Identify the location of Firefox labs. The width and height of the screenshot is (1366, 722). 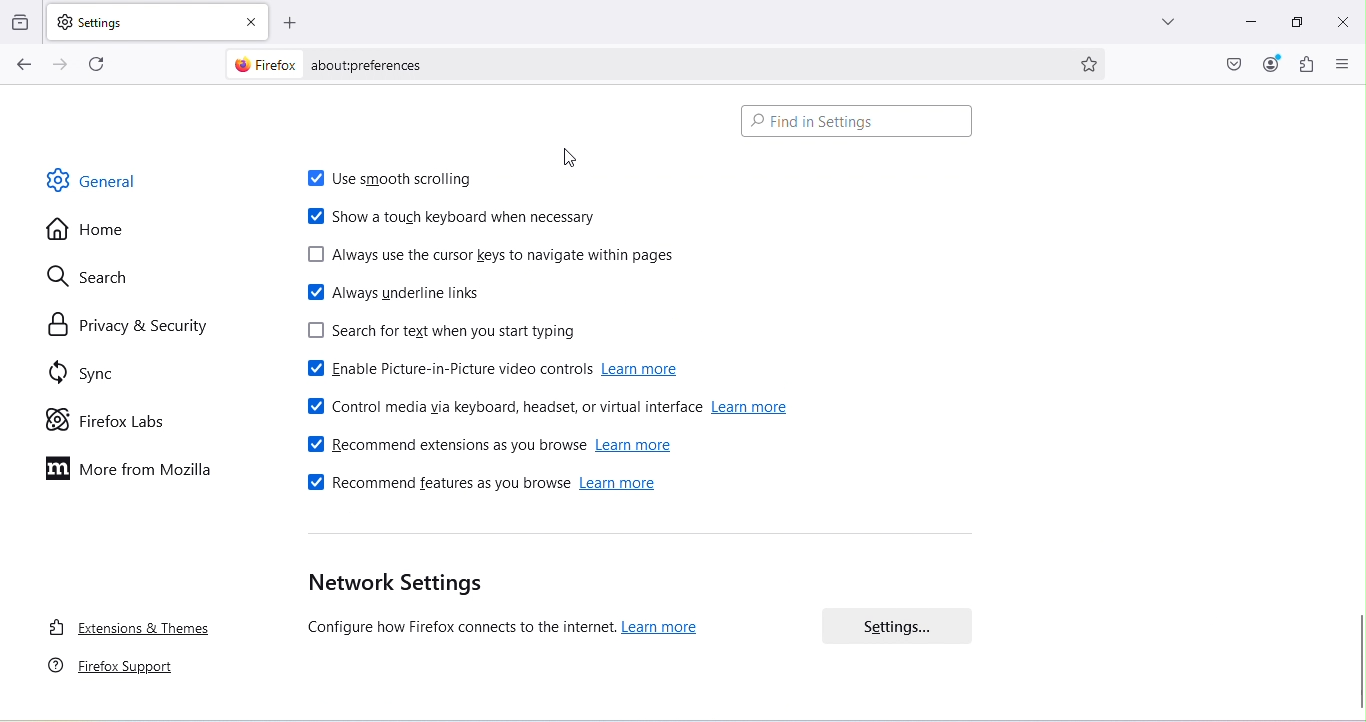
(94, 418).